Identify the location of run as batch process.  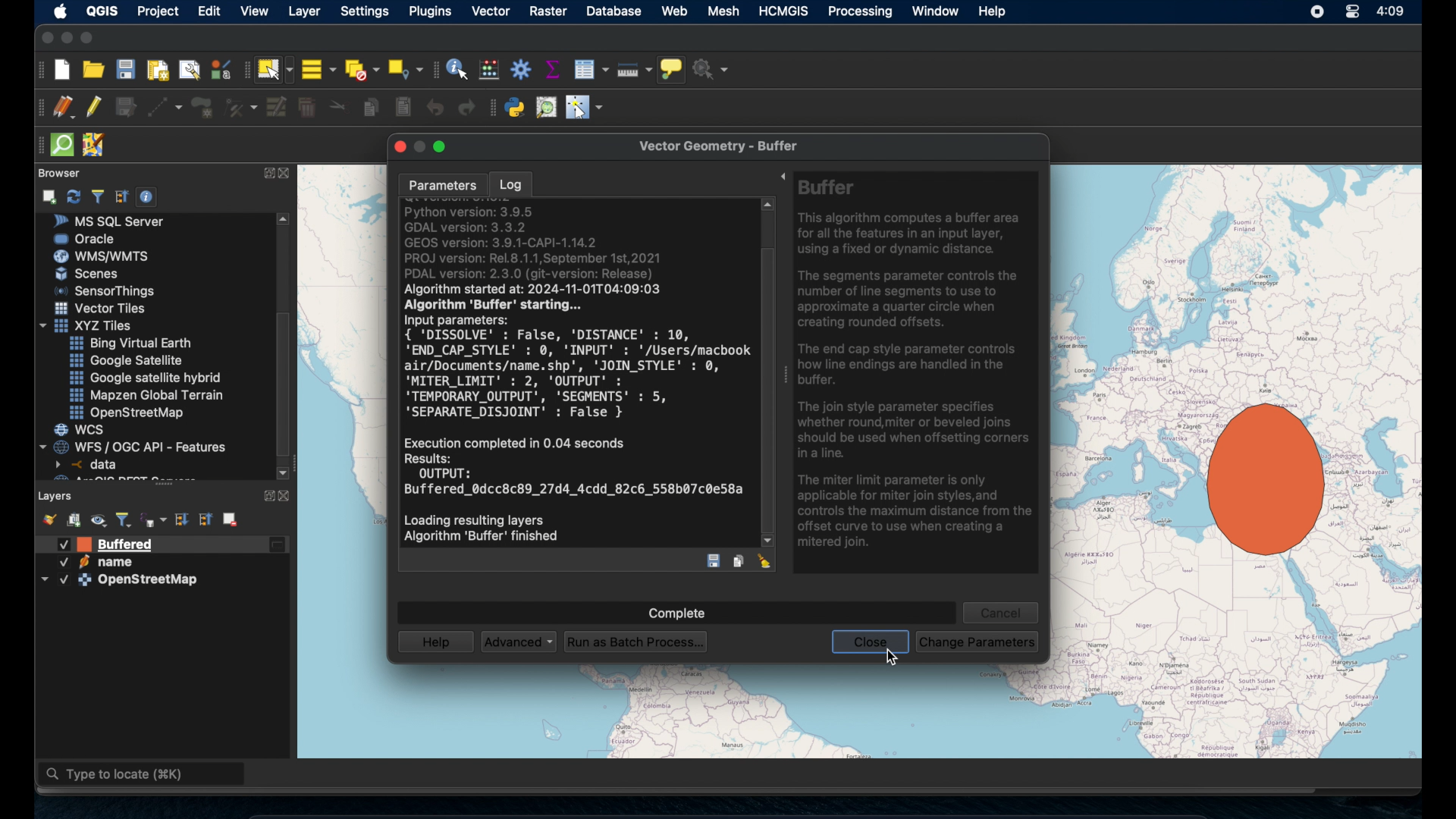
(639, 642).